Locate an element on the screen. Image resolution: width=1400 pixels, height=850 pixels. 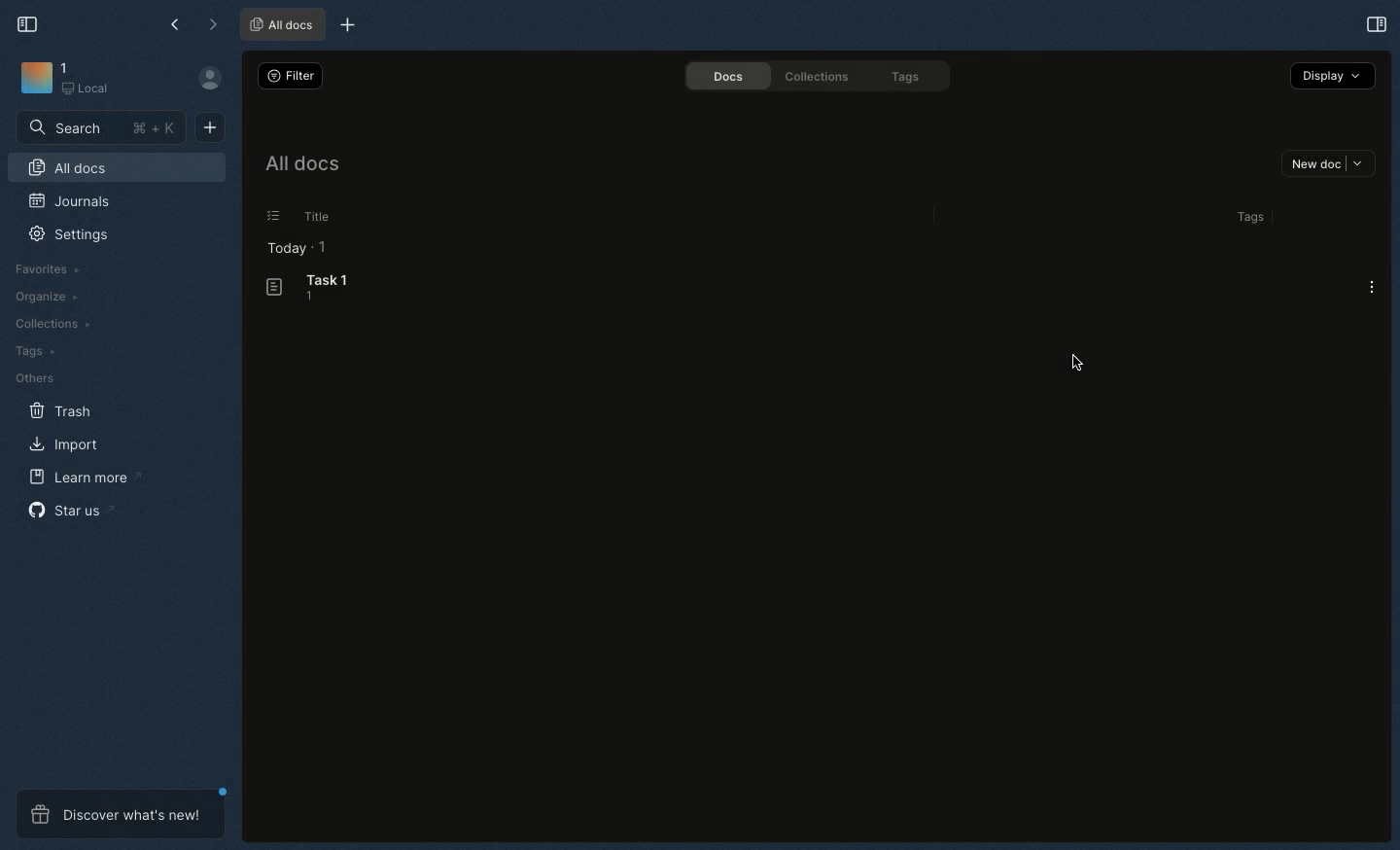
Collapse sidebar is located at coordinates (33, 26).